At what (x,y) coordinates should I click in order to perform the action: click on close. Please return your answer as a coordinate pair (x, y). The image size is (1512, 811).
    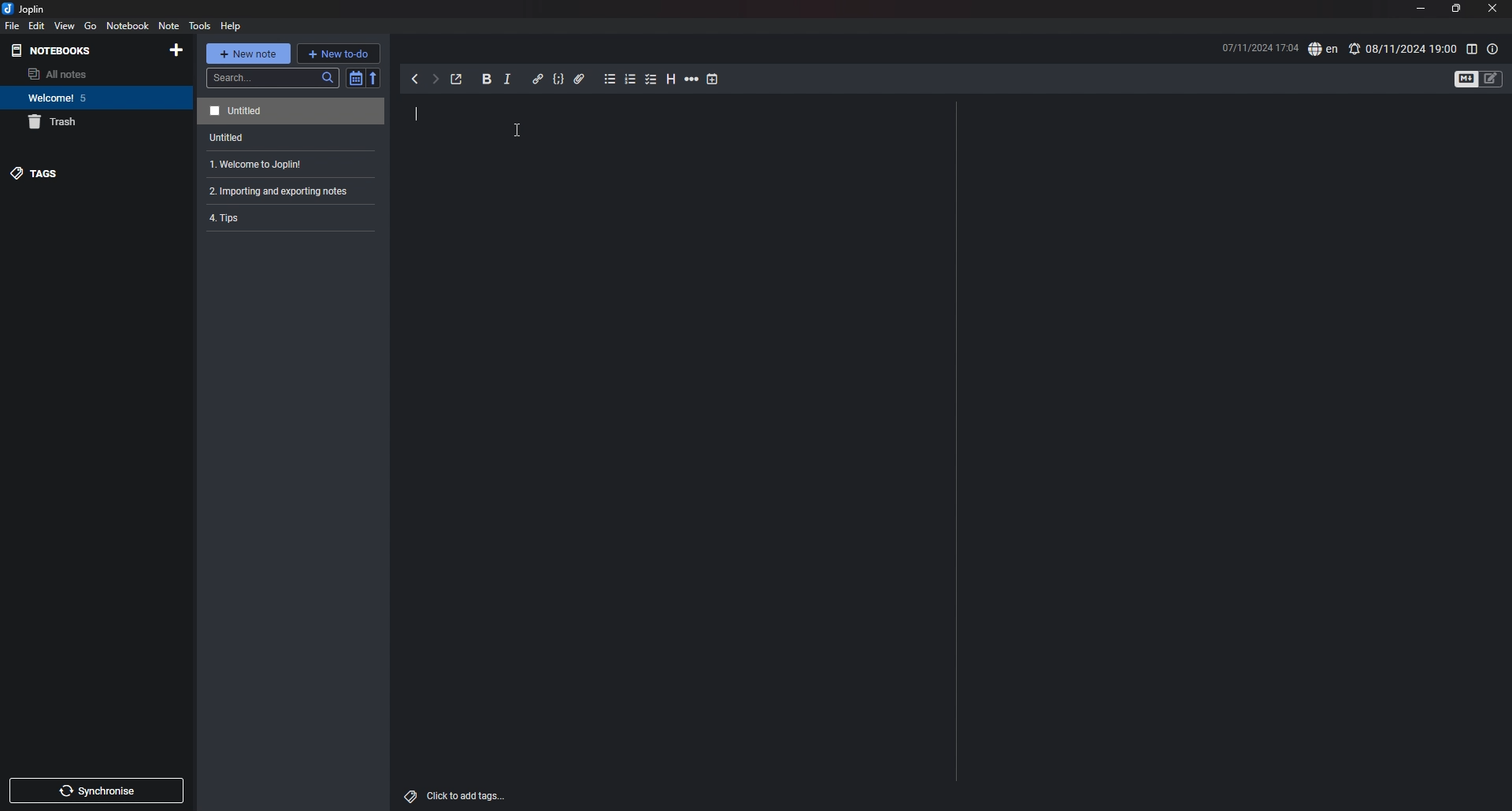
    Looking at the image, I should click on (1492, 9).